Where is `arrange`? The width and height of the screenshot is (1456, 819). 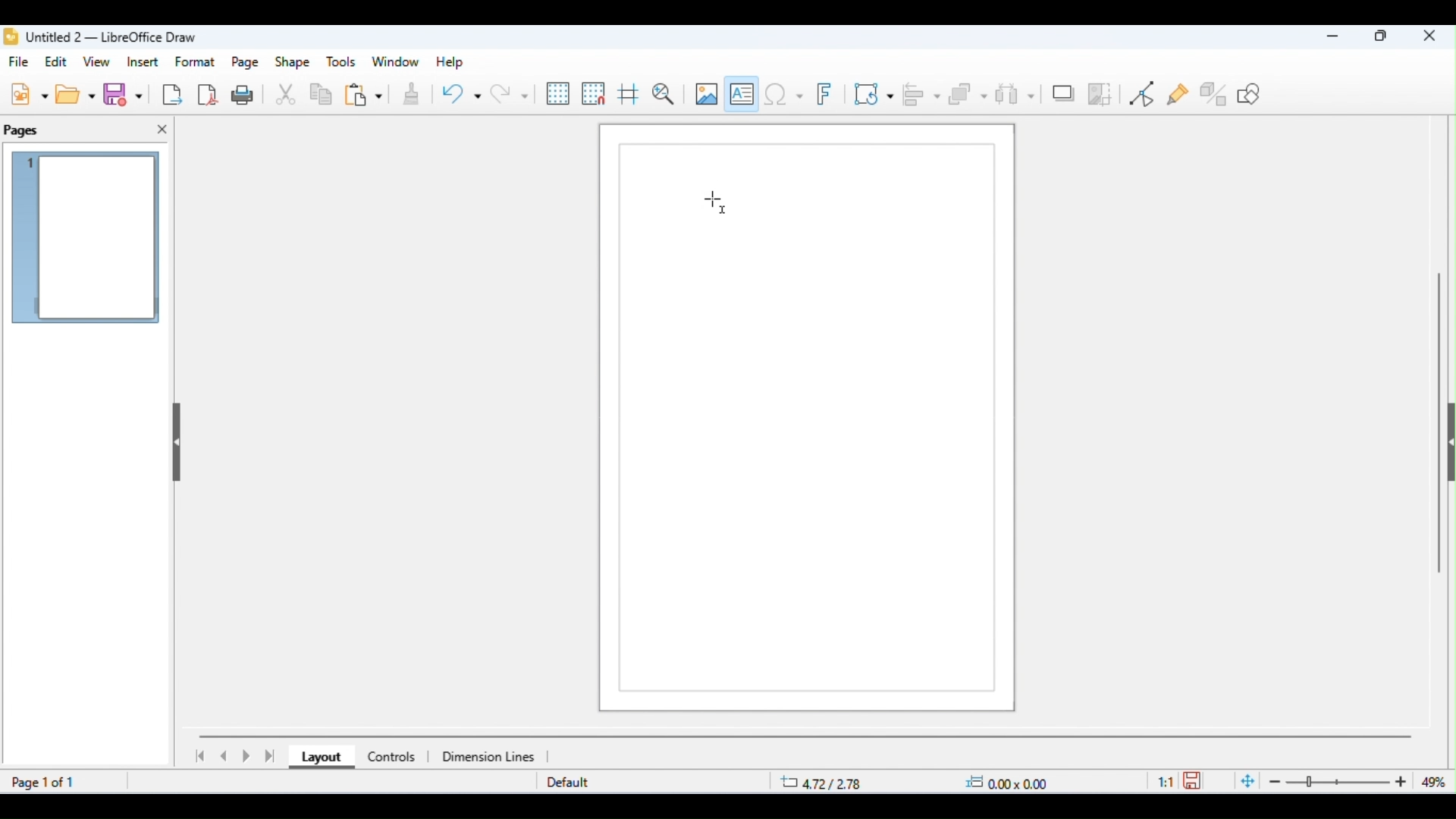 arrange is located at coordinates (968, 95).